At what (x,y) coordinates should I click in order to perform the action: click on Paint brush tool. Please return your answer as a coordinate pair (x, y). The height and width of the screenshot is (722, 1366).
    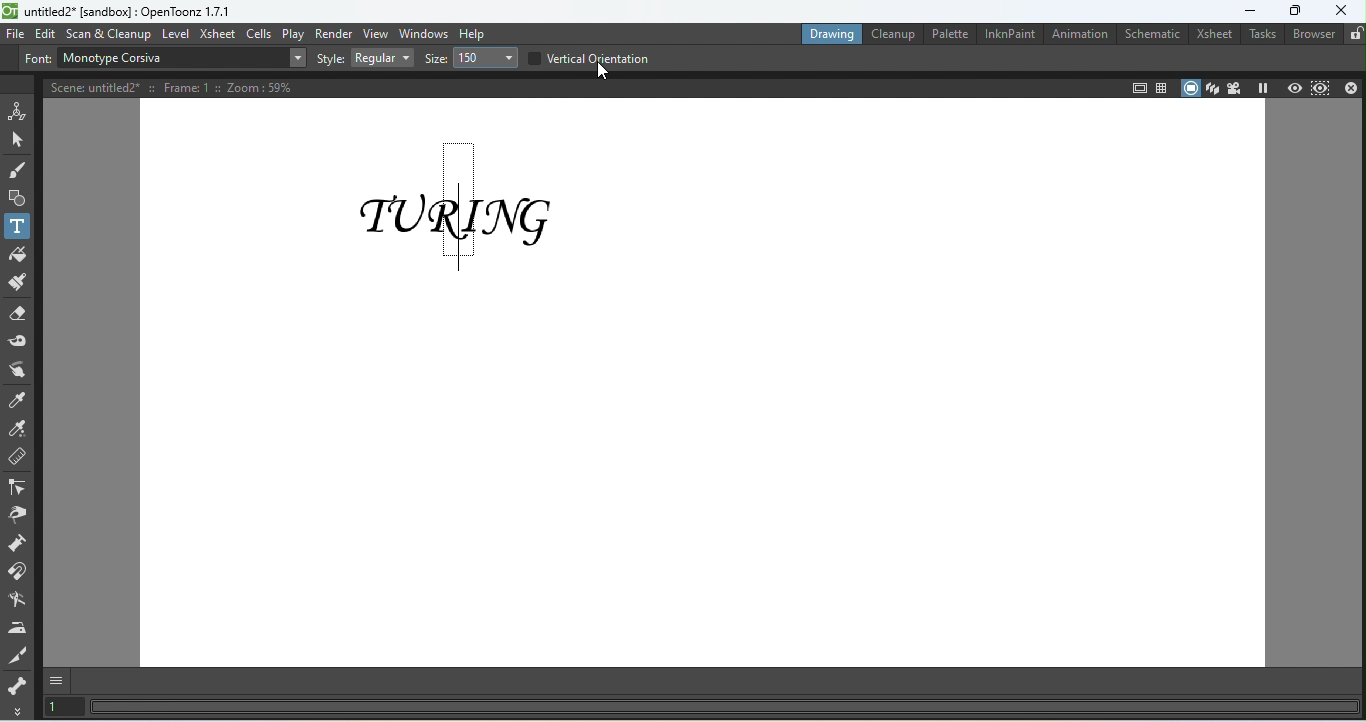
    Looking at the image, I should click on (16, 281).